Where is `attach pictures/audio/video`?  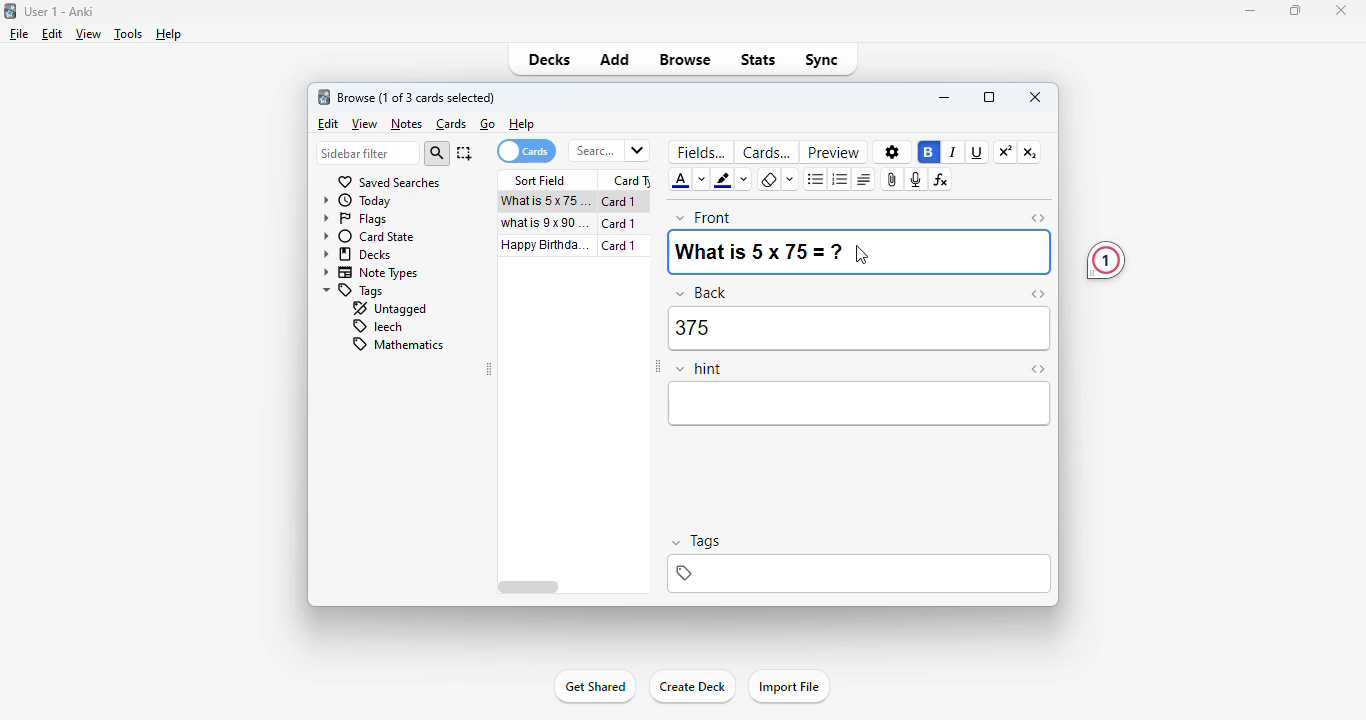
attach pictures/audio/video is located at coordinates (894, 180).